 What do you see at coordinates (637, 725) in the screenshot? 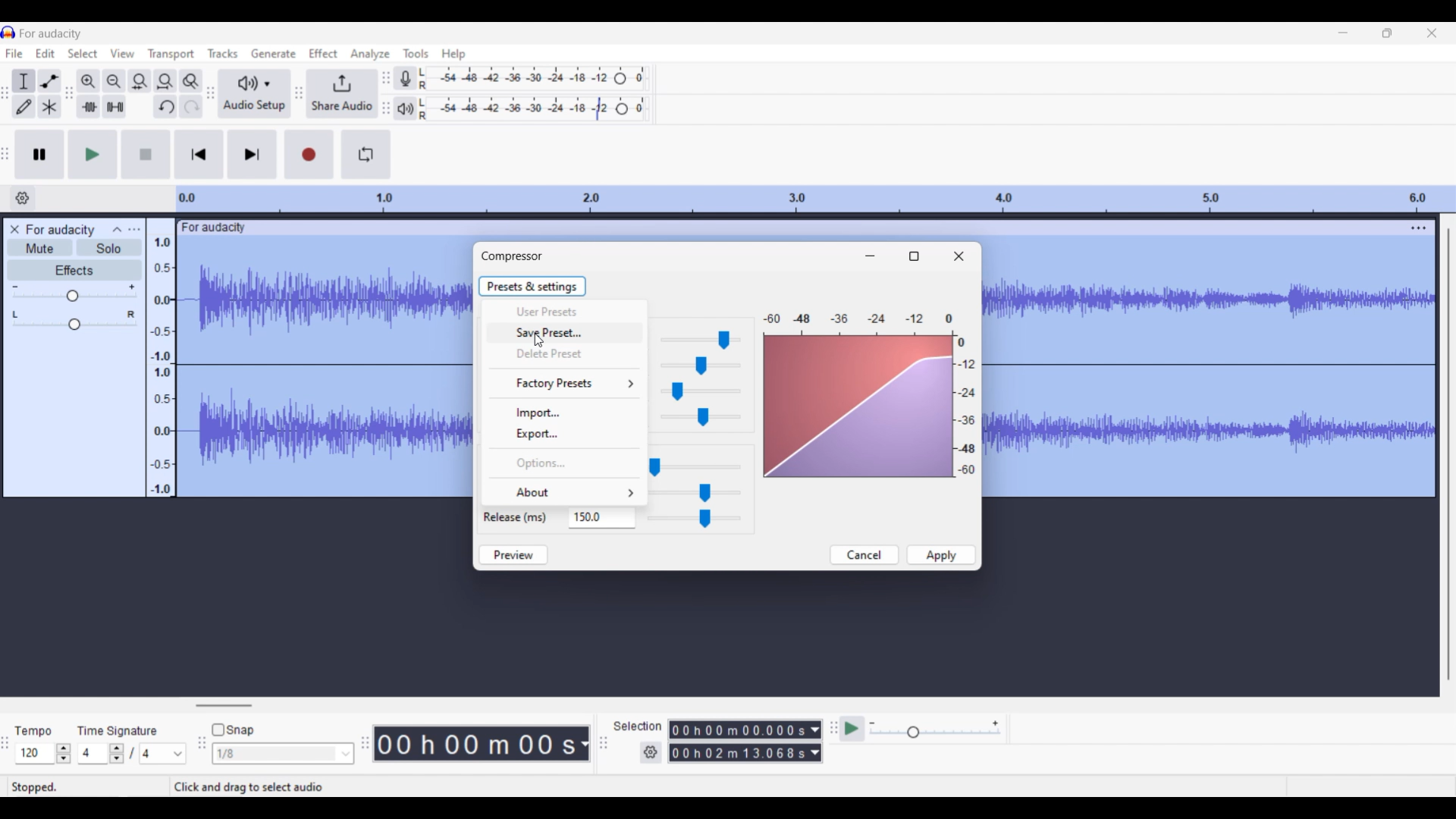
I see `Indicates selection settings` at bounding box center [637, 725].